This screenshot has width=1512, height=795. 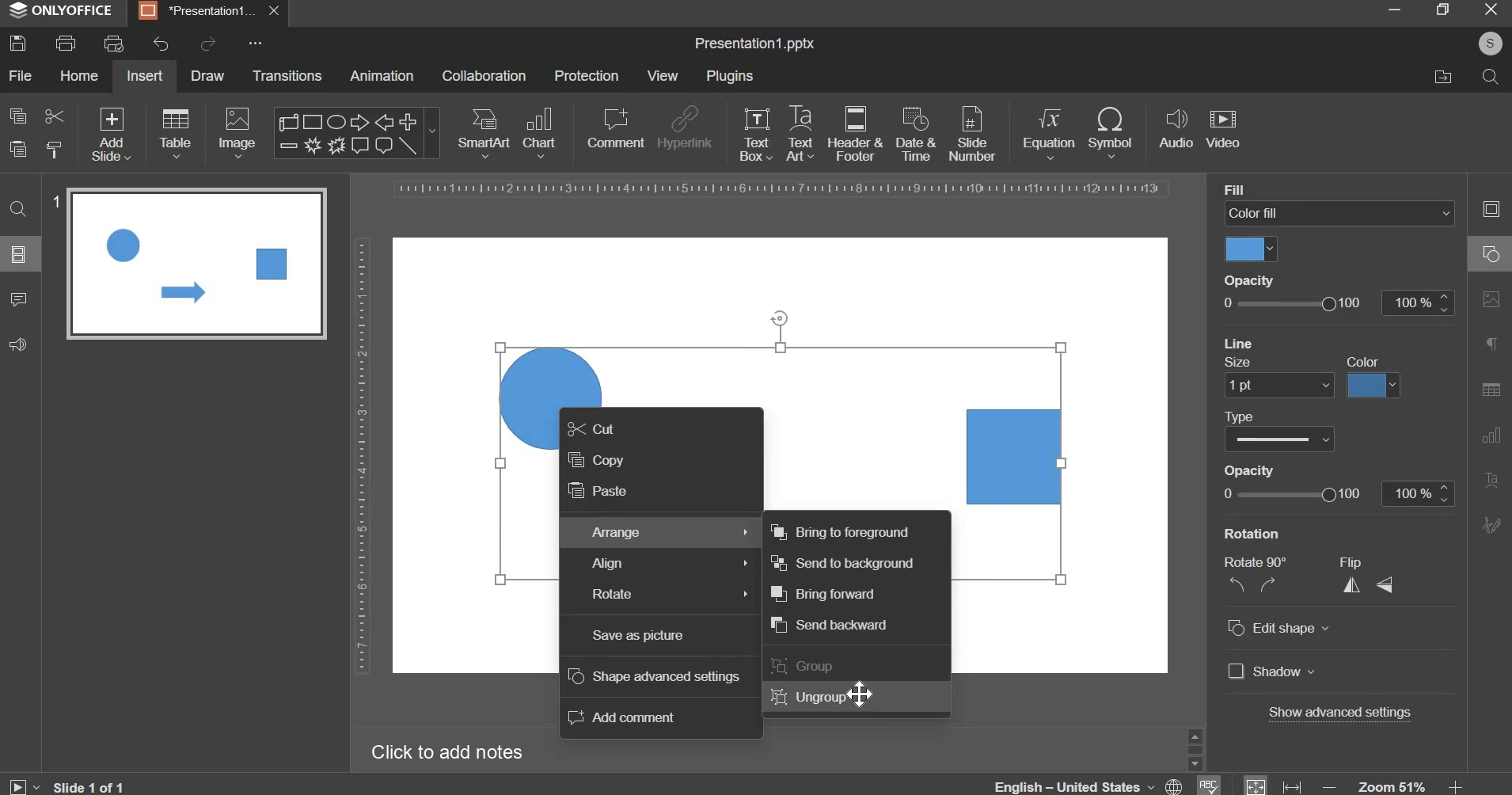 What do you see at coordinates (1048, 131) in the screenshot?
I see `equation` at bounding box center [1048, 131].